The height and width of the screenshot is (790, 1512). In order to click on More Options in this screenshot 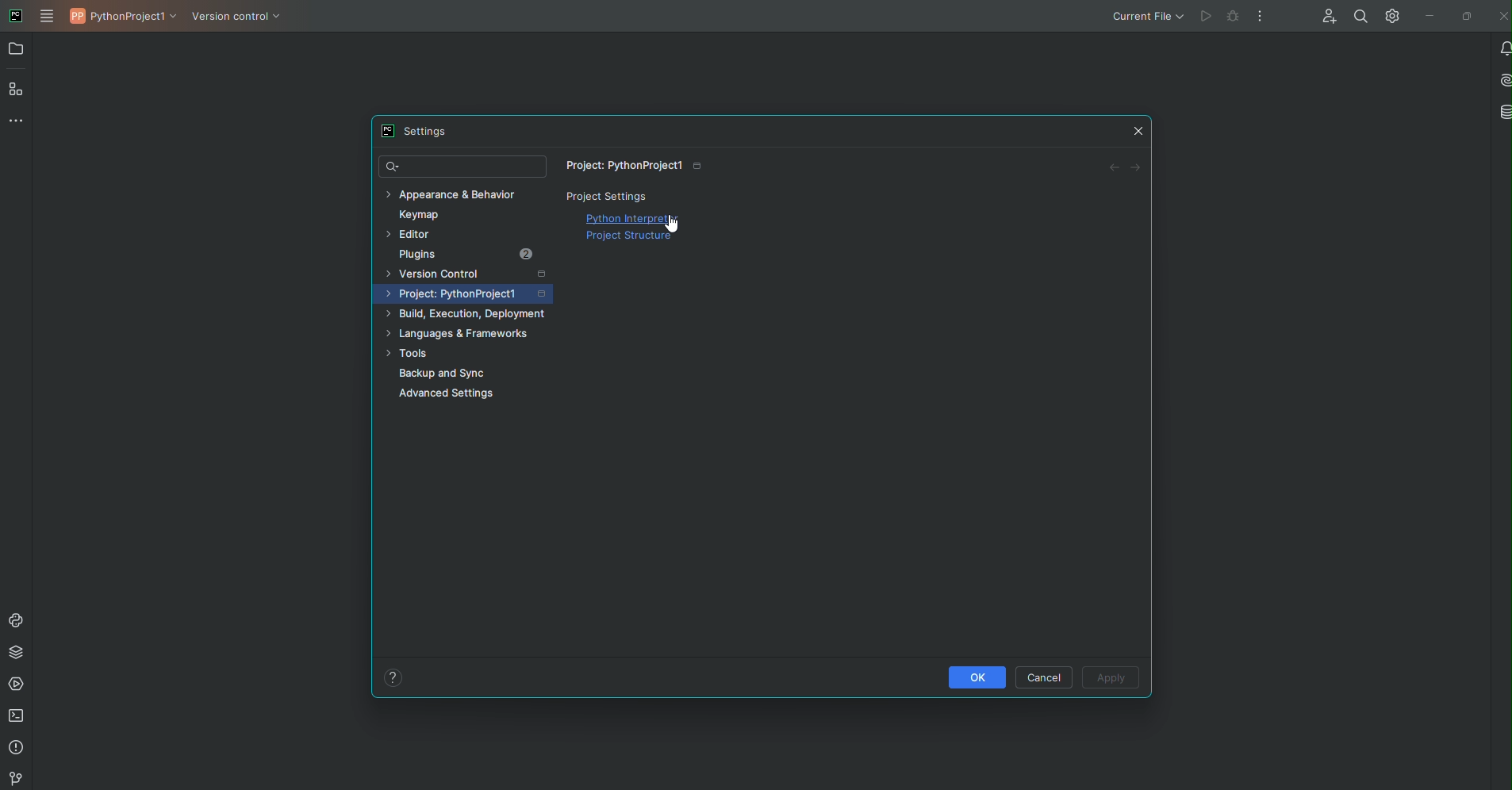, I will do `click(1258, 18)`.